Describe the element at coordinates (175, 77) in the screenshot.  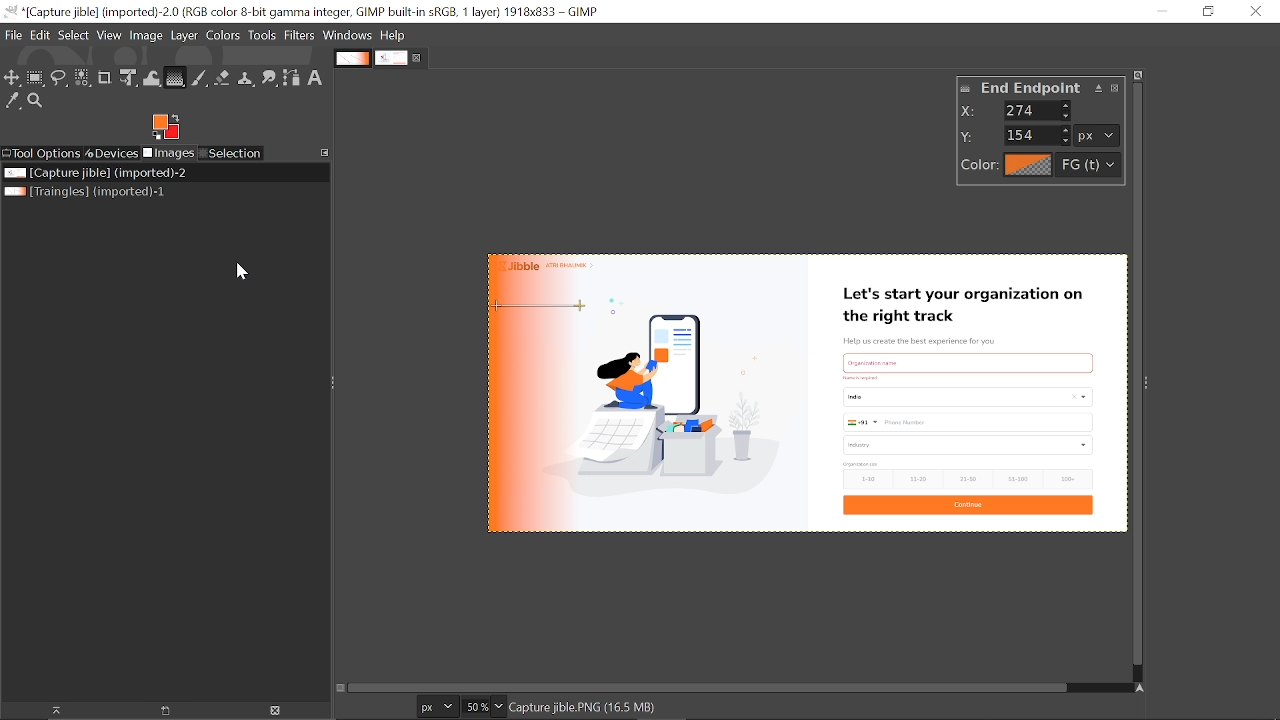
I see `Gradient tool` at that location.